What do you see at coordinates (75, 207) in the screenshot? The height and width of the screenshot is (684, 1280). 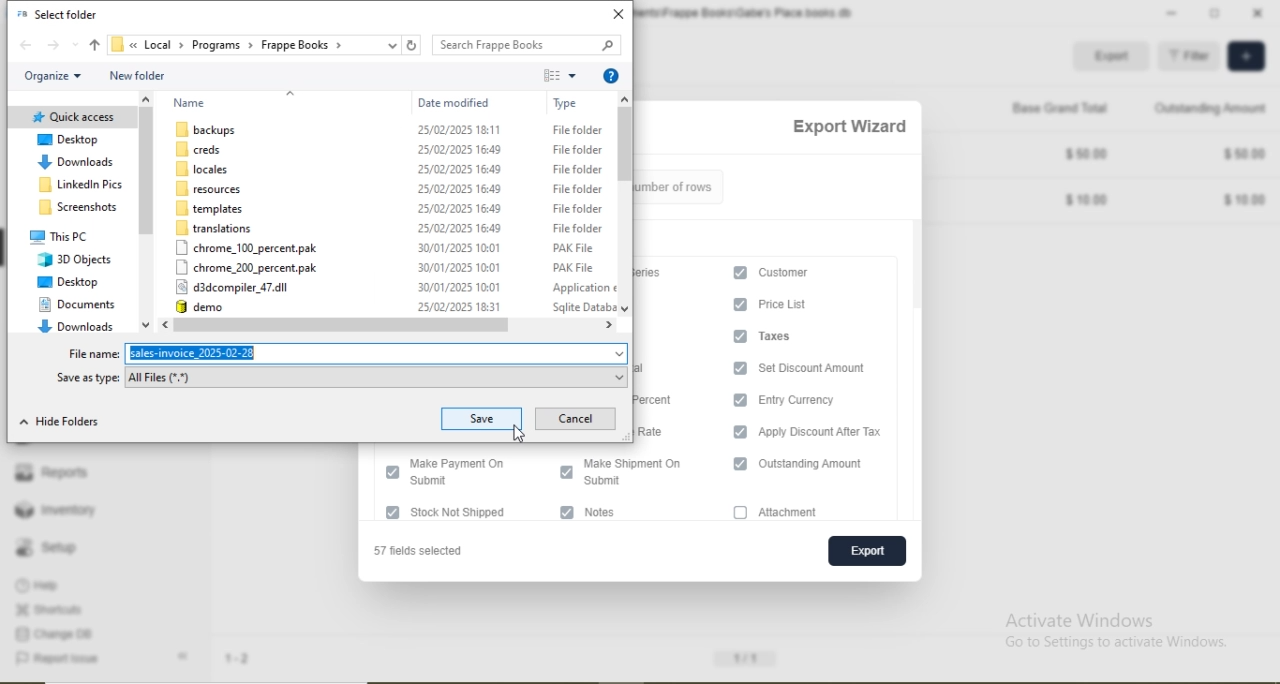 I see `Screenshots` at bounding box center [75, 207].